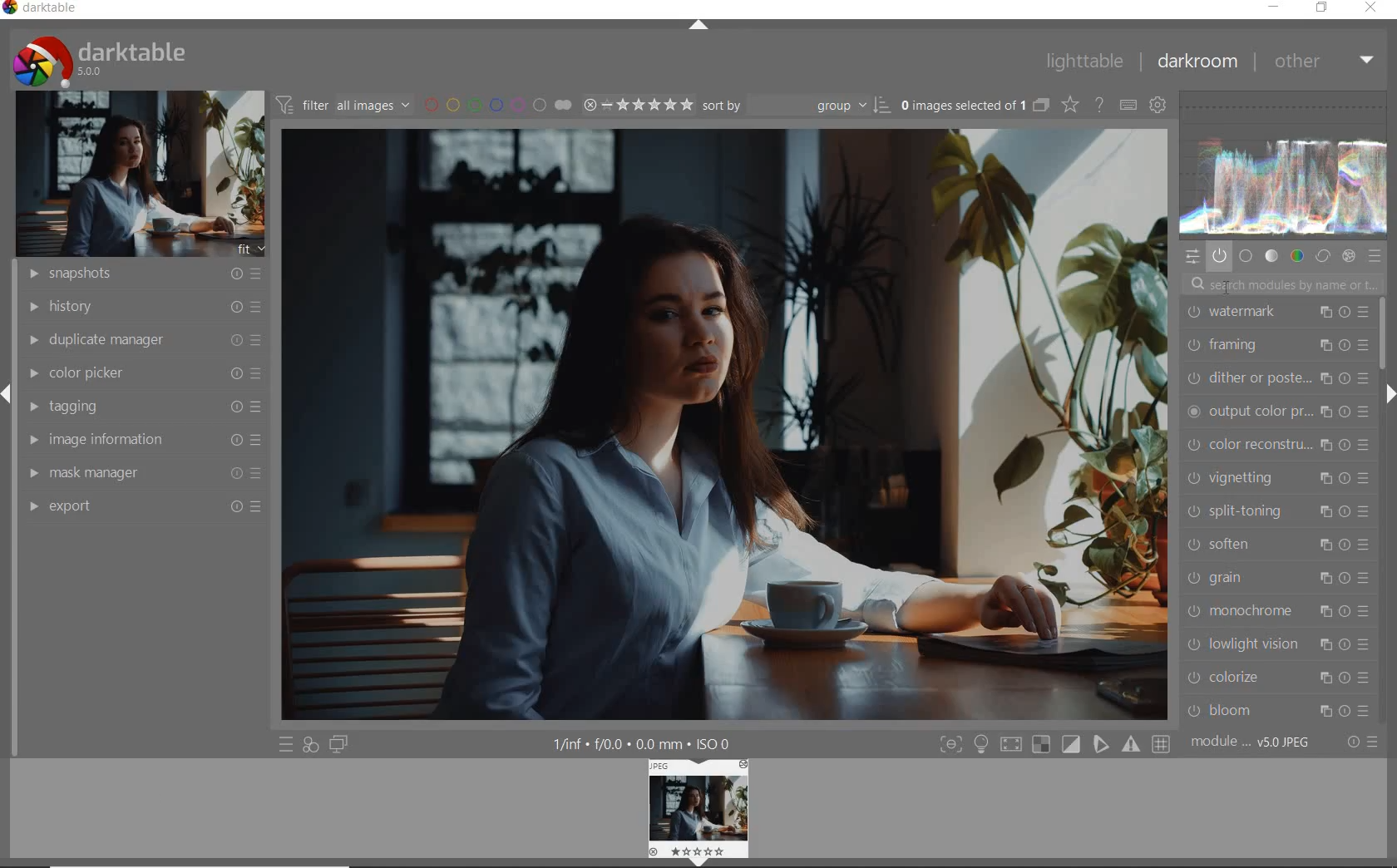 The image size is (1397, 868). Describe the element at coordinates (1256, 744) in the screenshot. I see `module order` at that location.